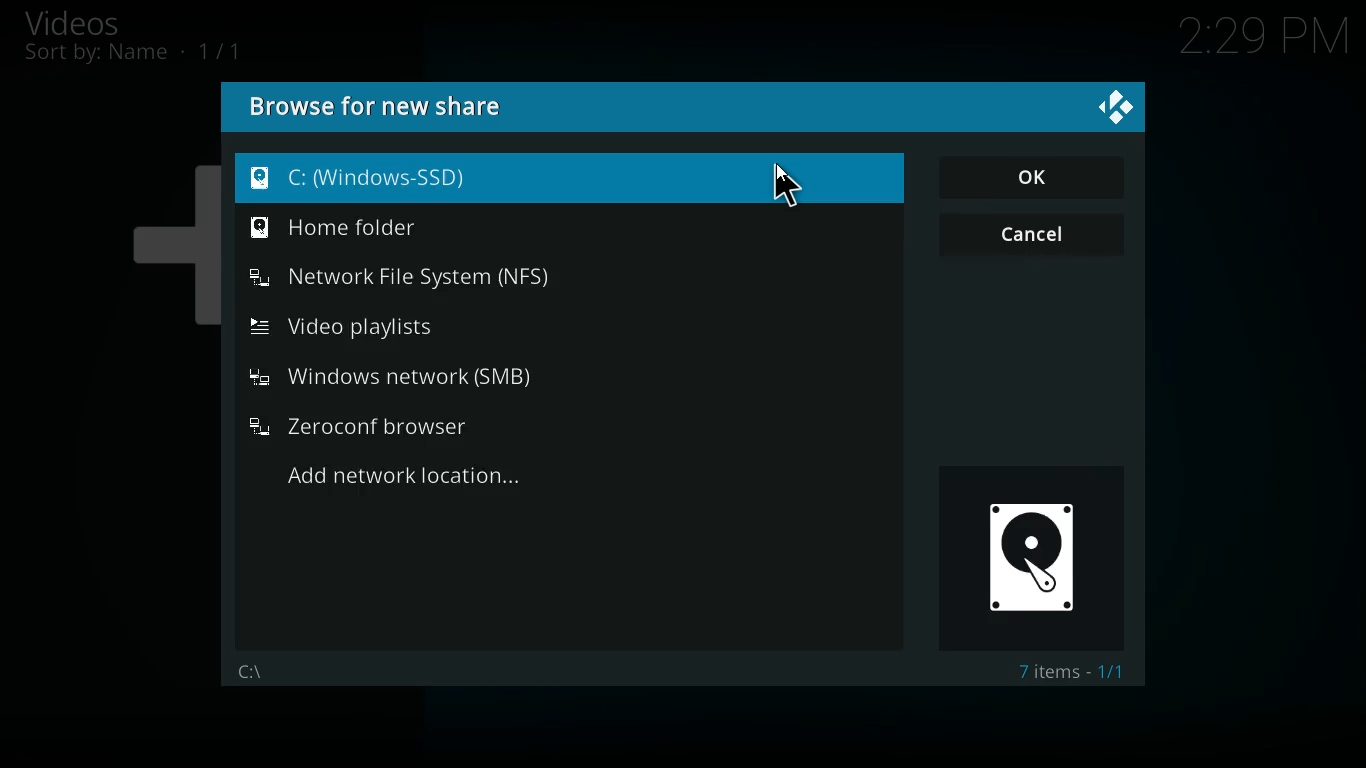 The width and height of the screenshot is (1366, 768). What do you see at coordinates (1033, 176) in the screenshot?
I see `OK` at bounding box center [1033, 176].